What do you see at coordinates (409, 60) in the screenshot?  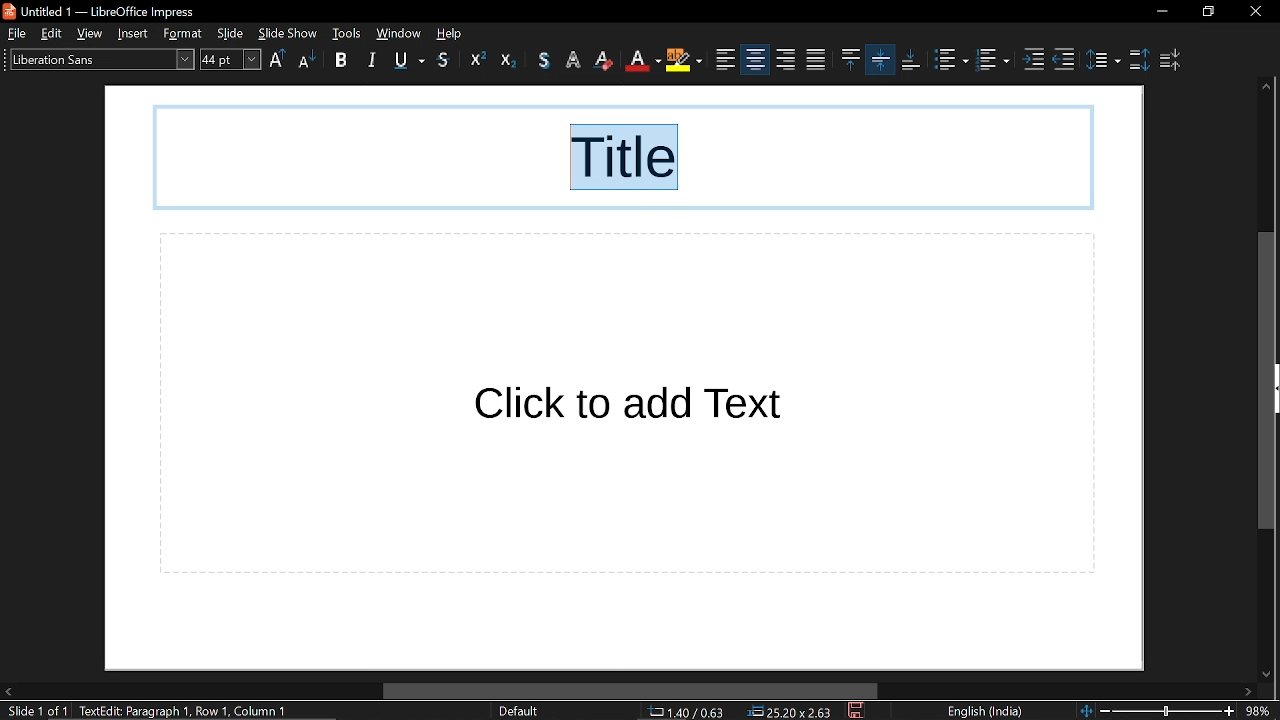 I see `underline` at bounding box center [409, 60].